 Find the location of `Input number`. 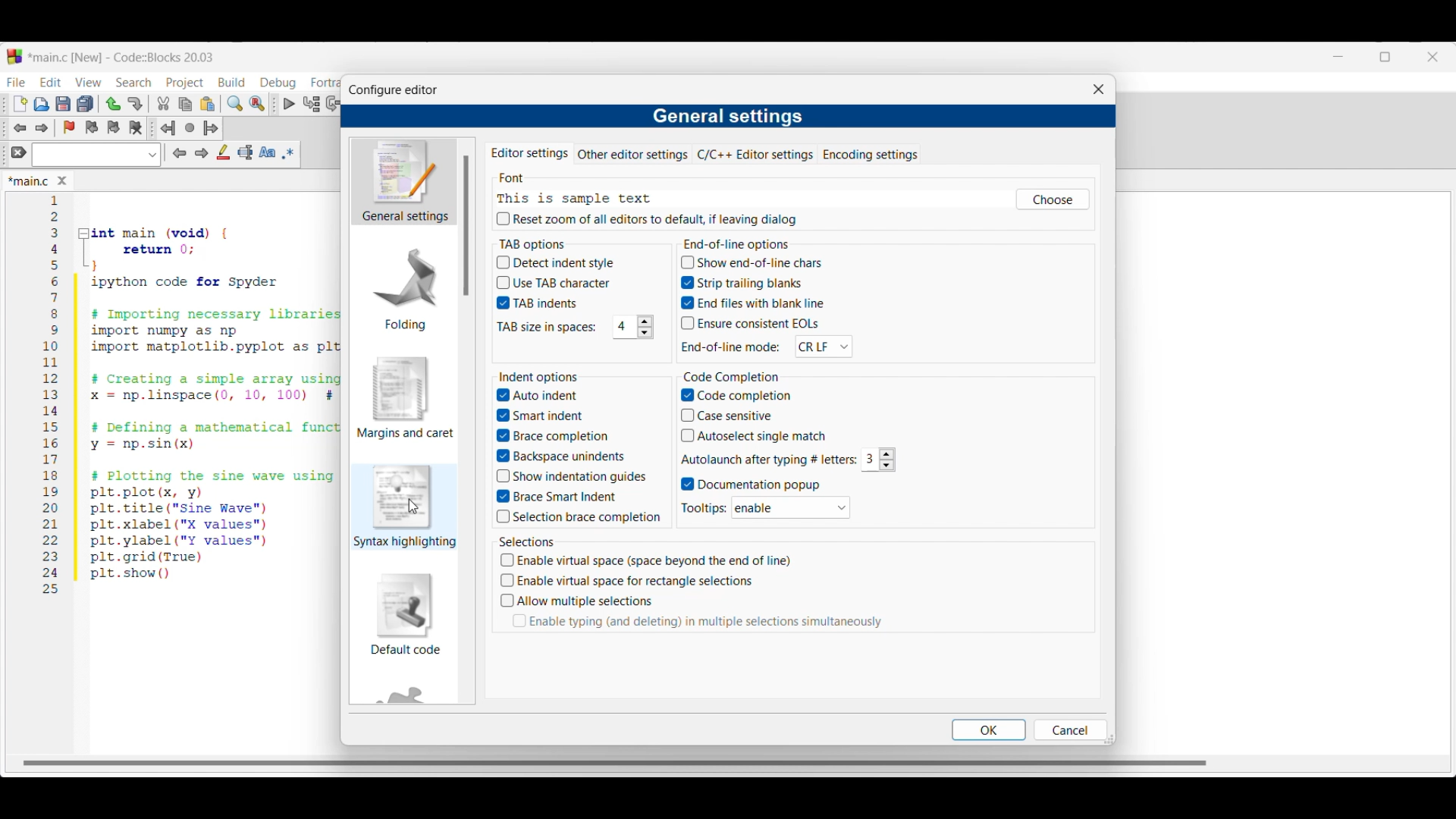

Input number is located at coordinates (869, 459).